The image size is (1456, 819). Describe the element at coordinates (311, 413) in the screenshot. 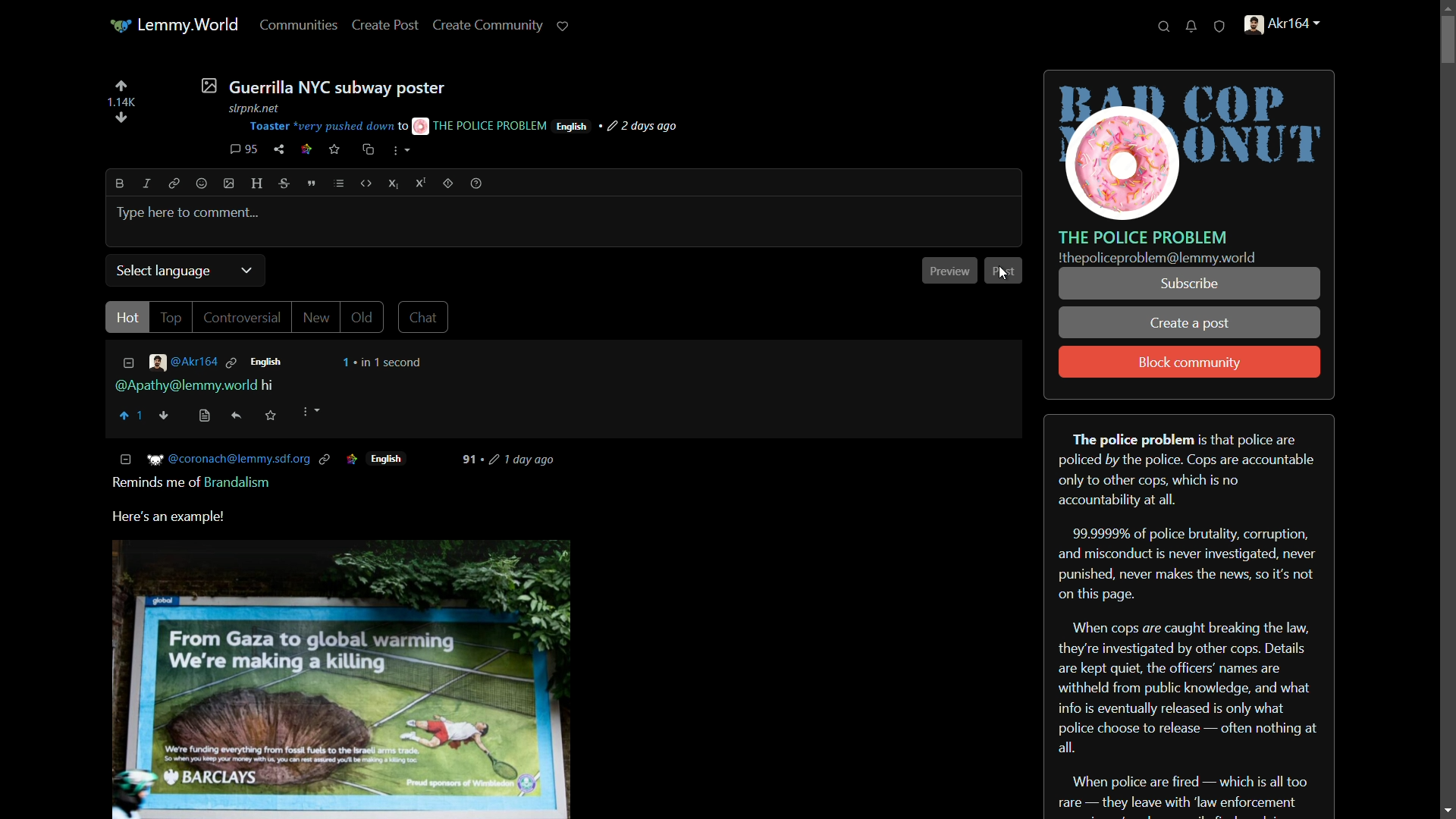

I see `more options` at that location.